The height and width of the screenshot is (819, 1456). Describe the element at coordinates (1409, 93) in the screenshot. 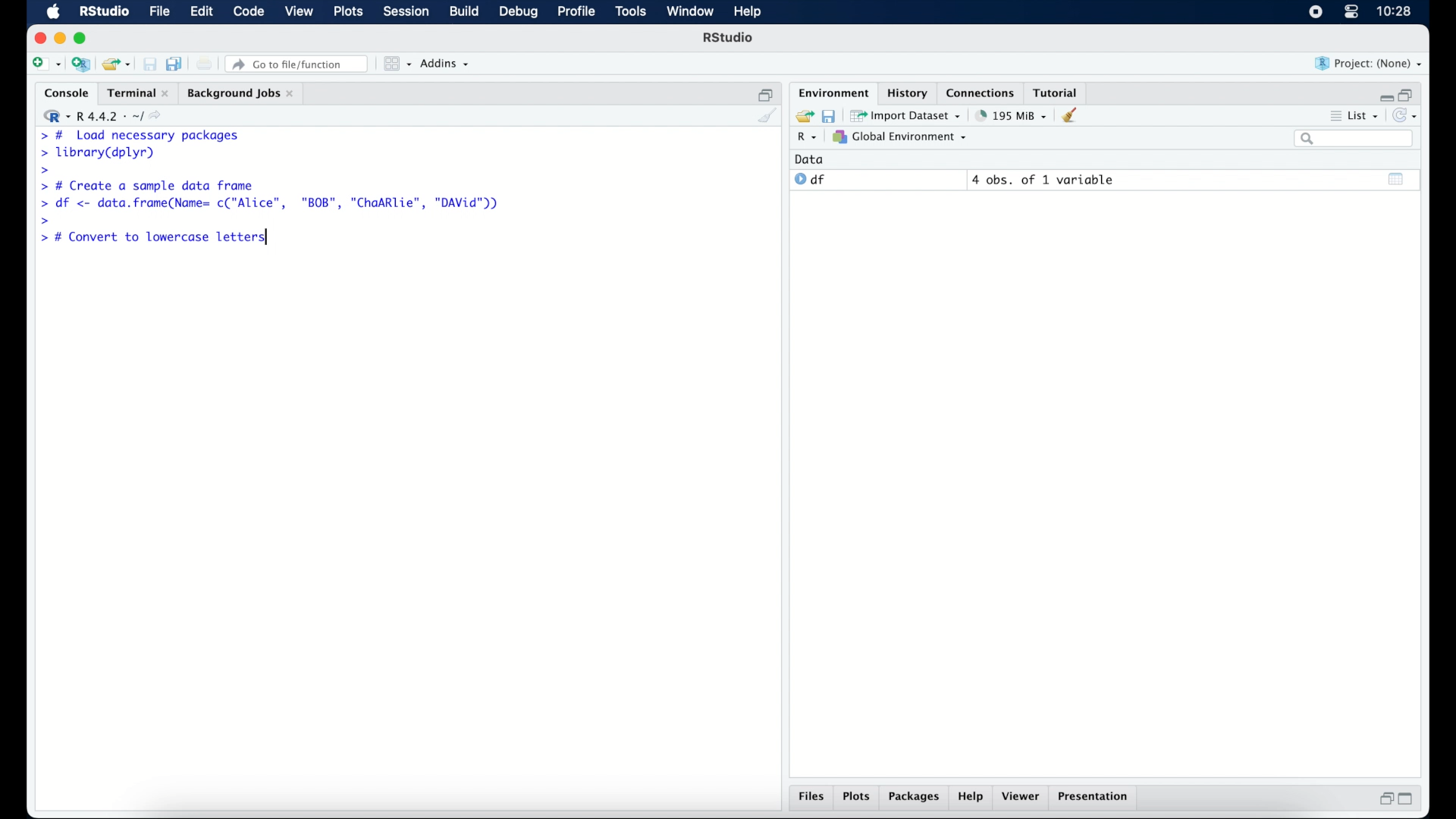

I see `restore down` at that location.